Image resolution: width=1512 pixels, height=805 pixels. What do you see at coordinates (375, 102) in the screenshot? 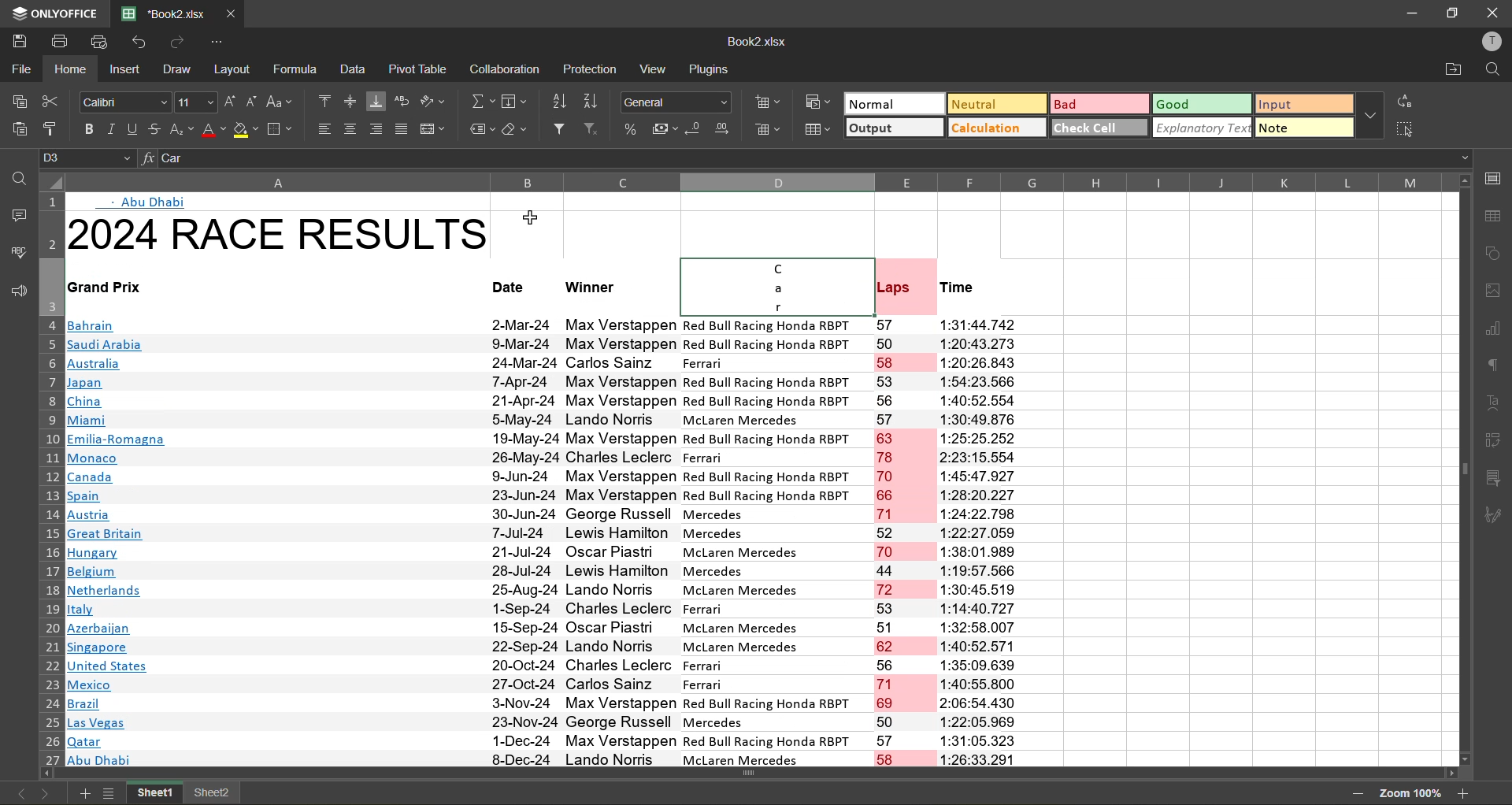
I see `align bottom` at bounding box center [375, 102].